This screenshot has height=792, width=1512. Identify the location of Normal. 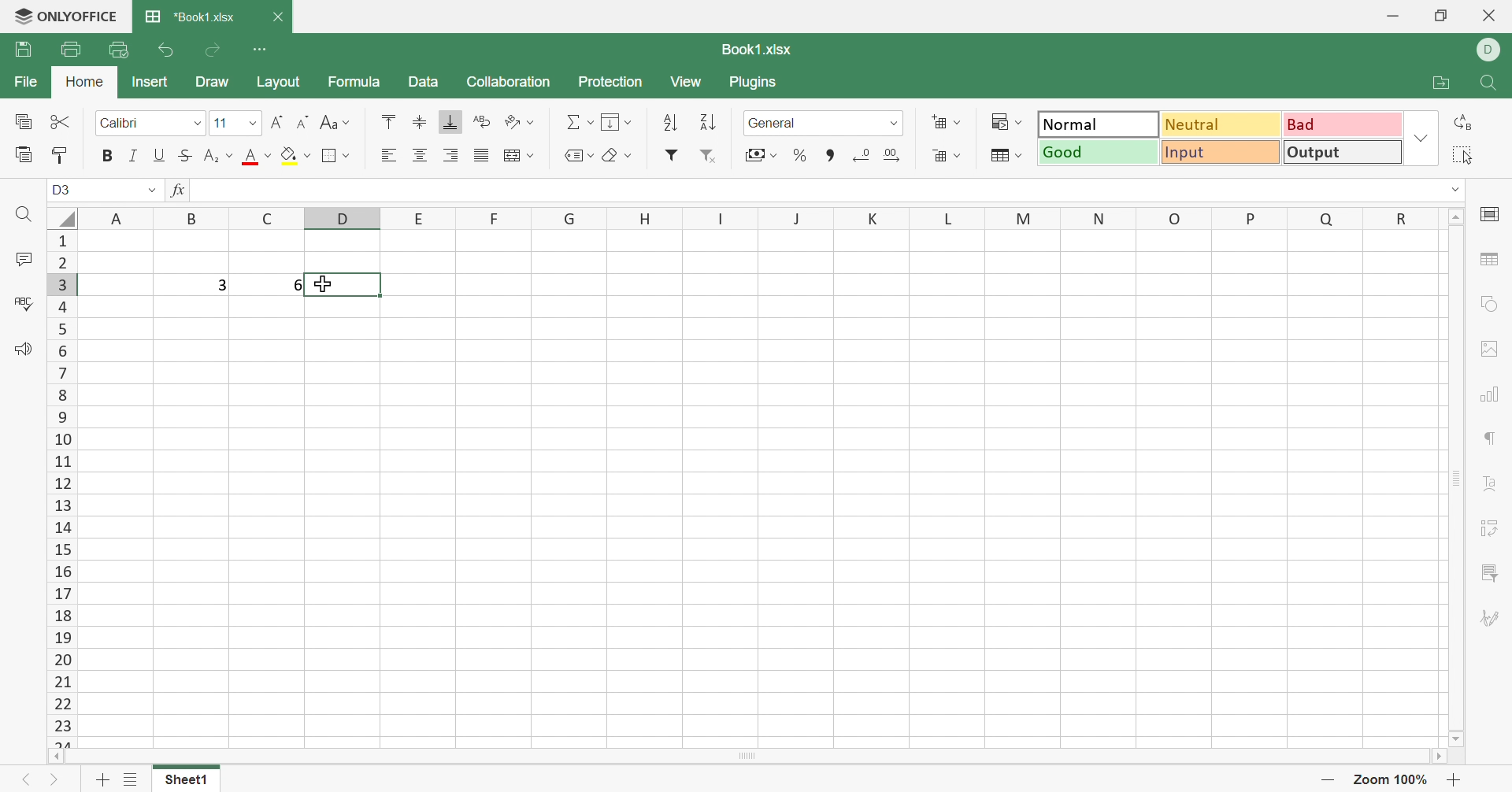
(1099, 126).